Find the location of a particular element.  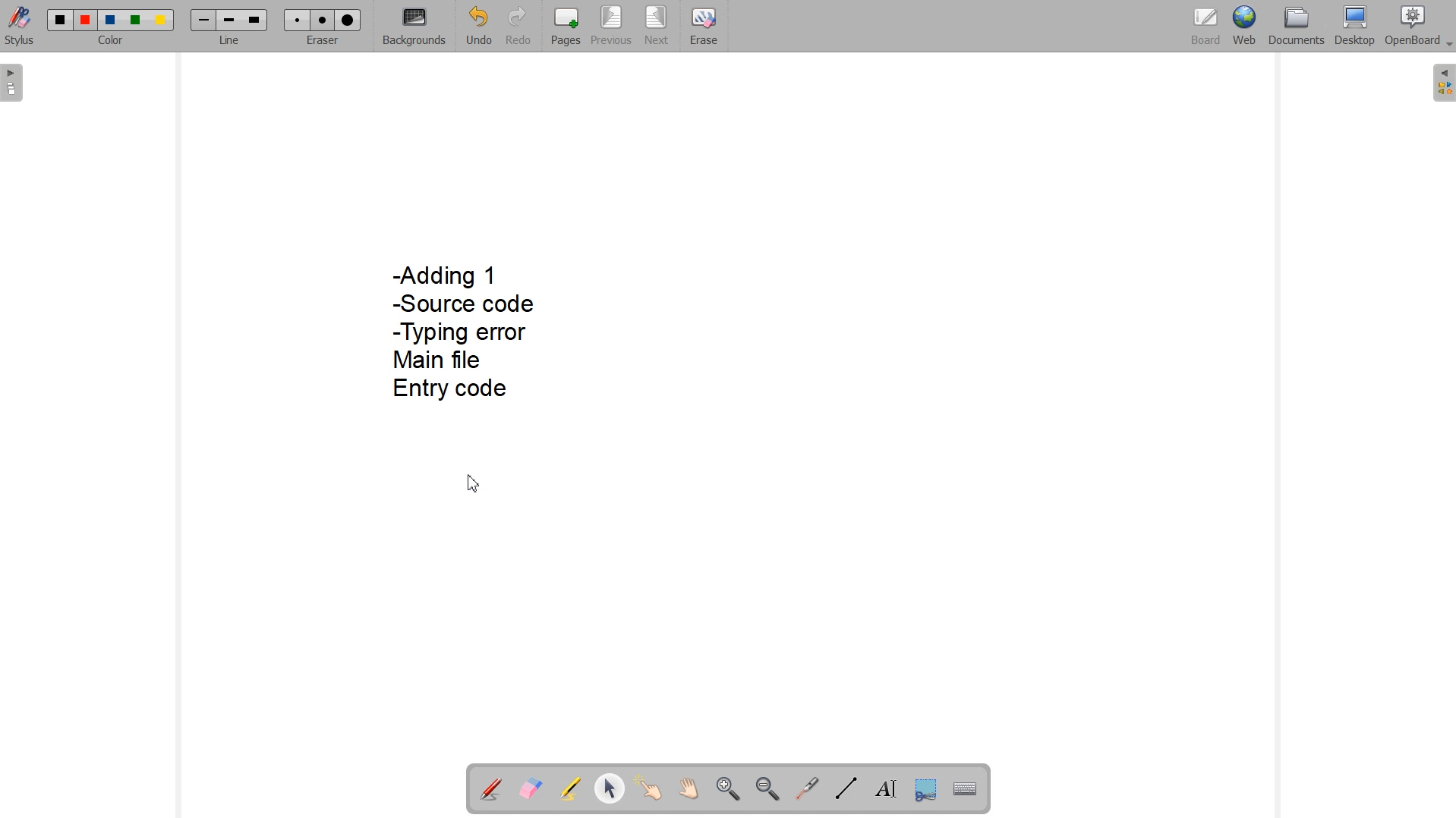

Undo is located at coordinates (477, 26).